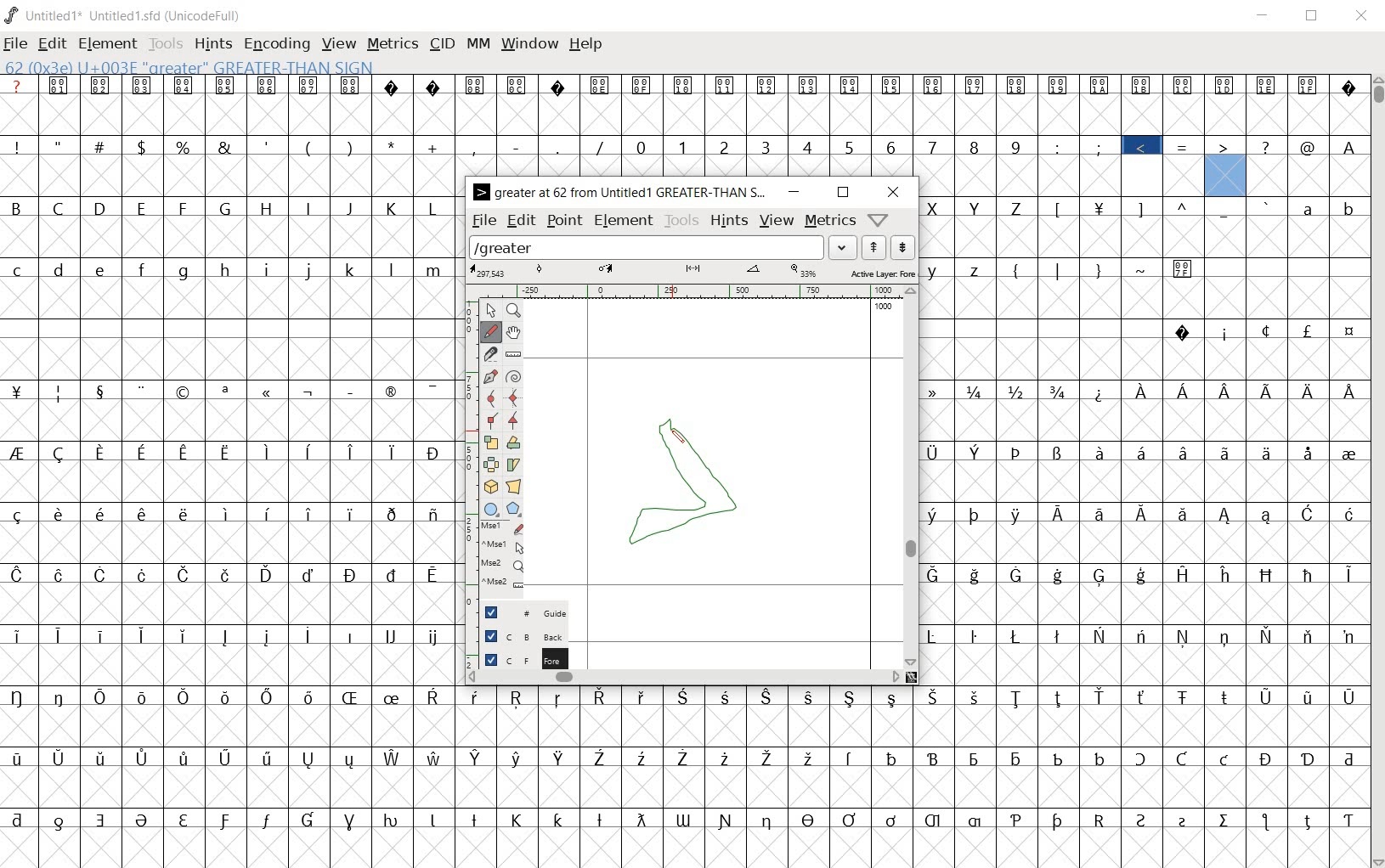 This screenshot has height=868, width=1385. Describe the element at coordinates (514, 375) in the screenshot. I see `change whether spiro is active or not` at that location.